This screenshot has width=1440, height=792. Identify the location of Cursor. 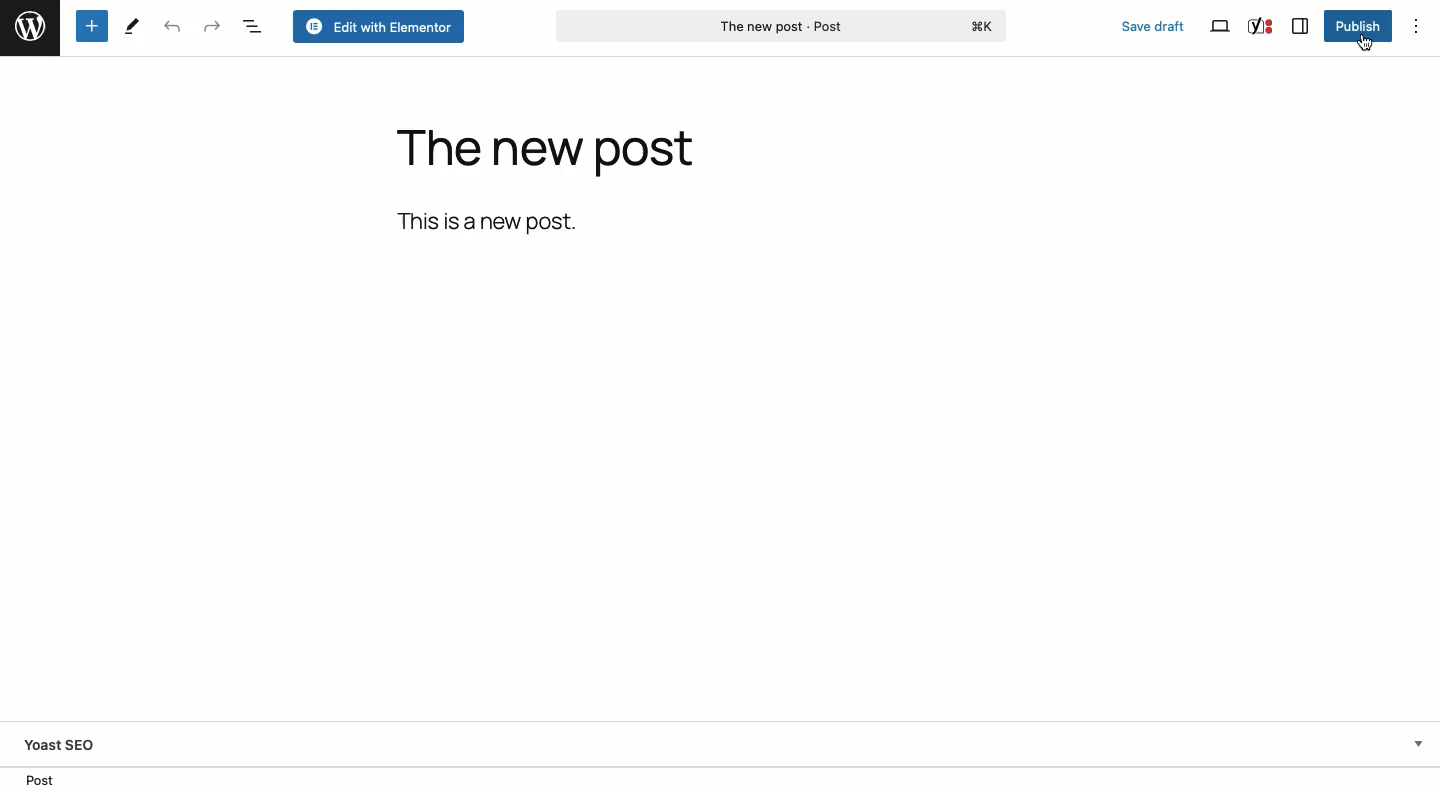
(1364, 45).